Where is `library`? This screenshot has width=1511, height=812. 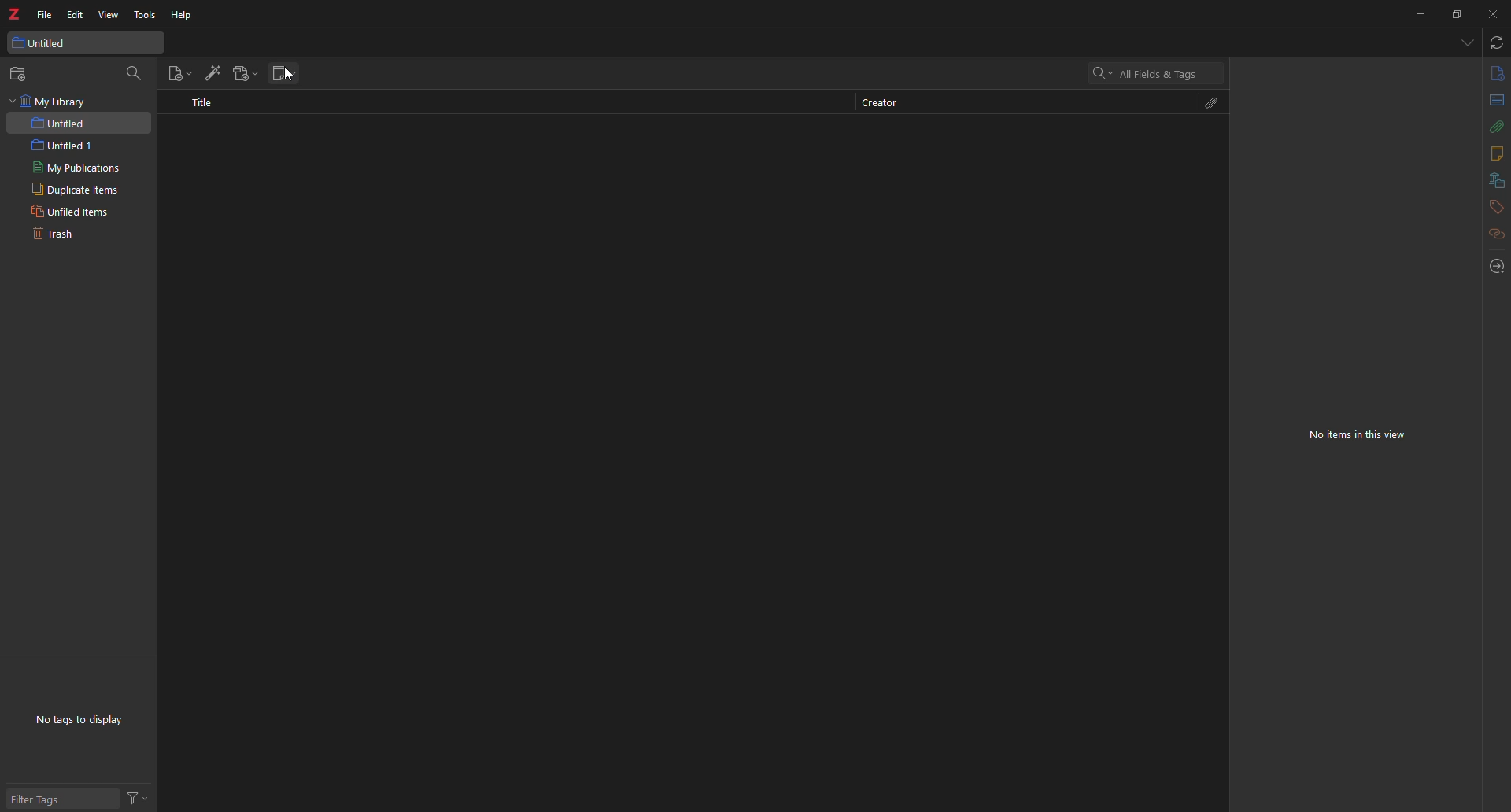
library is located at coordinates (1492, 179).